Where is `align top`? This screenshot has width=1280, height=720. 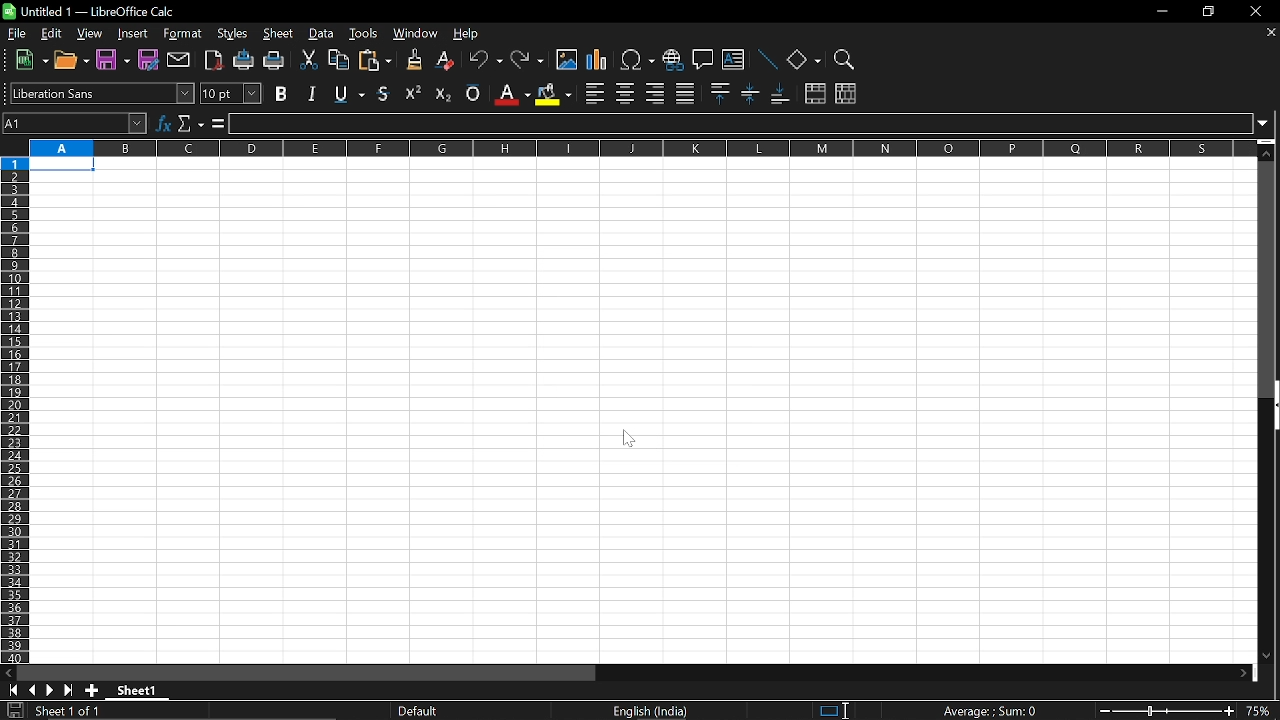 align top is located at coordinates (718, 93).